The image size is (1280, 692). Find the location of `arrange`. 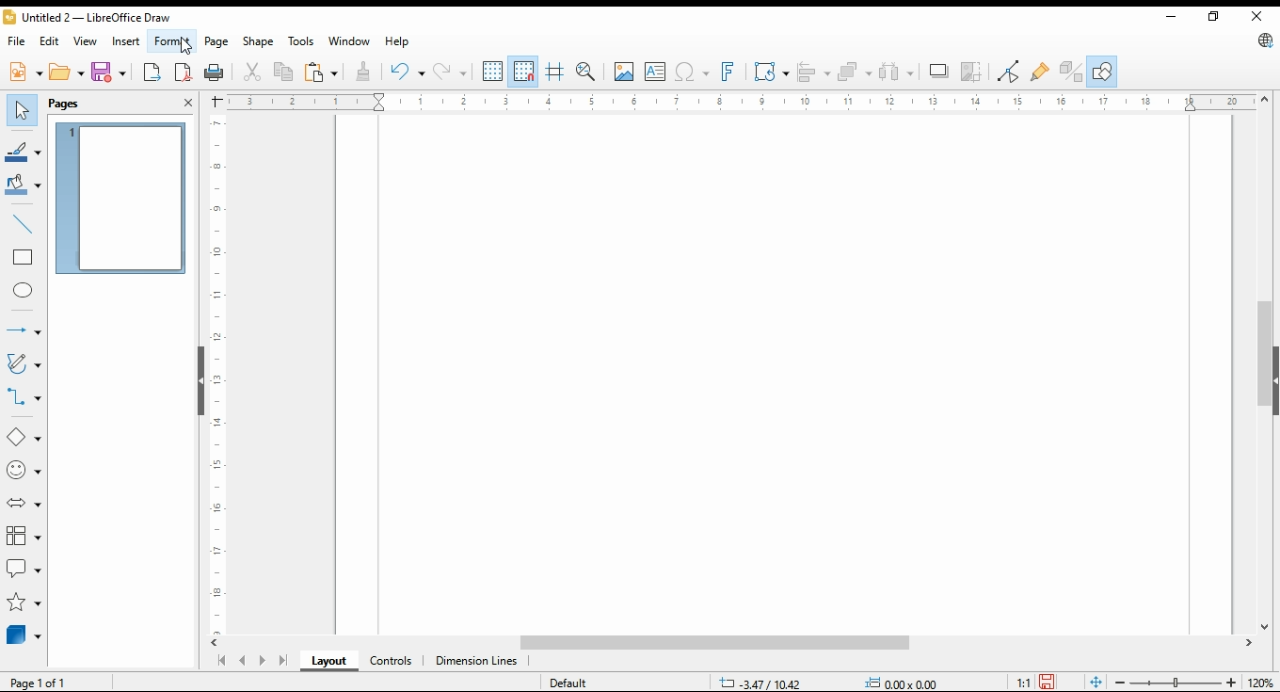

arrange is located at coordinates (852, 70).